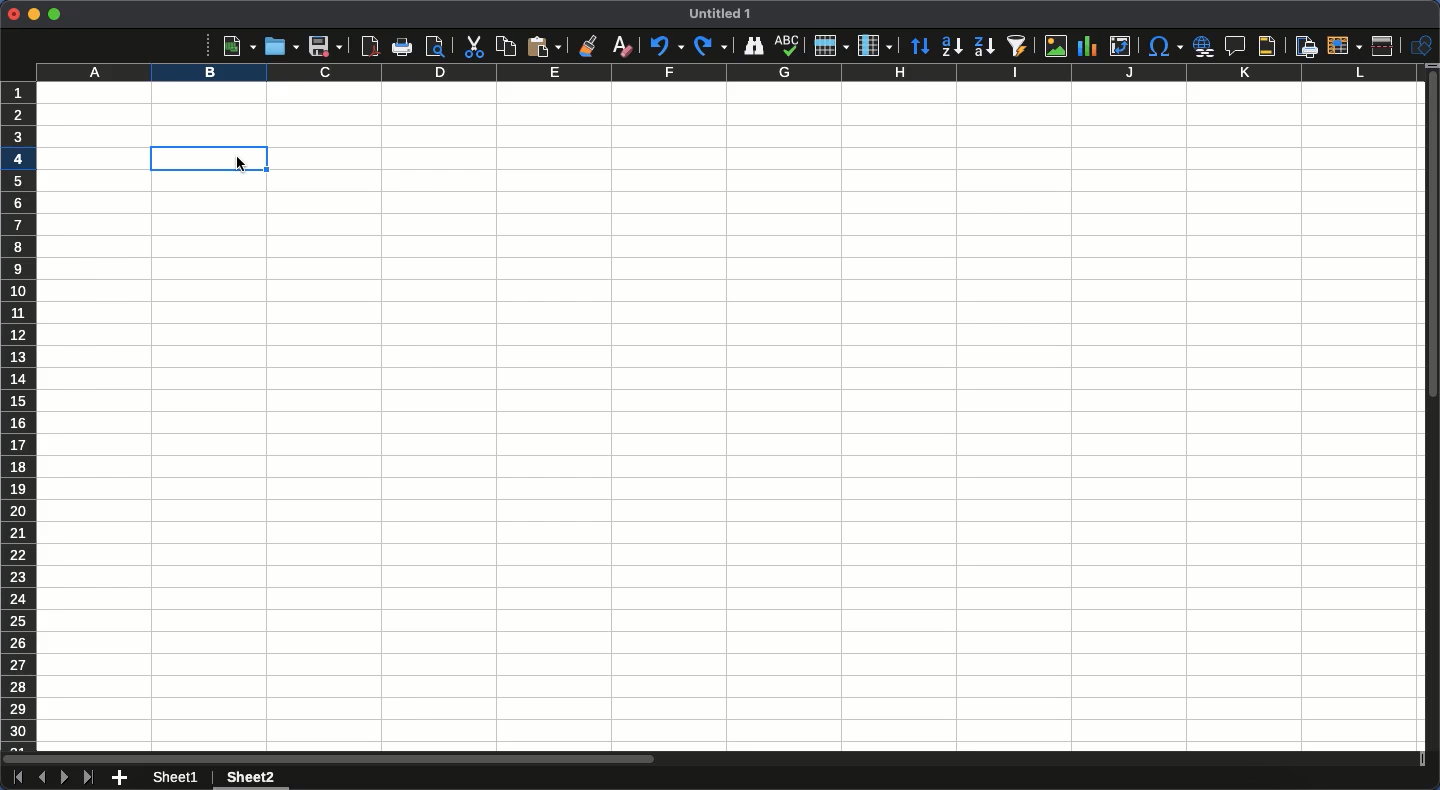  Describe the element at coordinates (1387, 46) in the screenshot. I see `Split window` at that location.